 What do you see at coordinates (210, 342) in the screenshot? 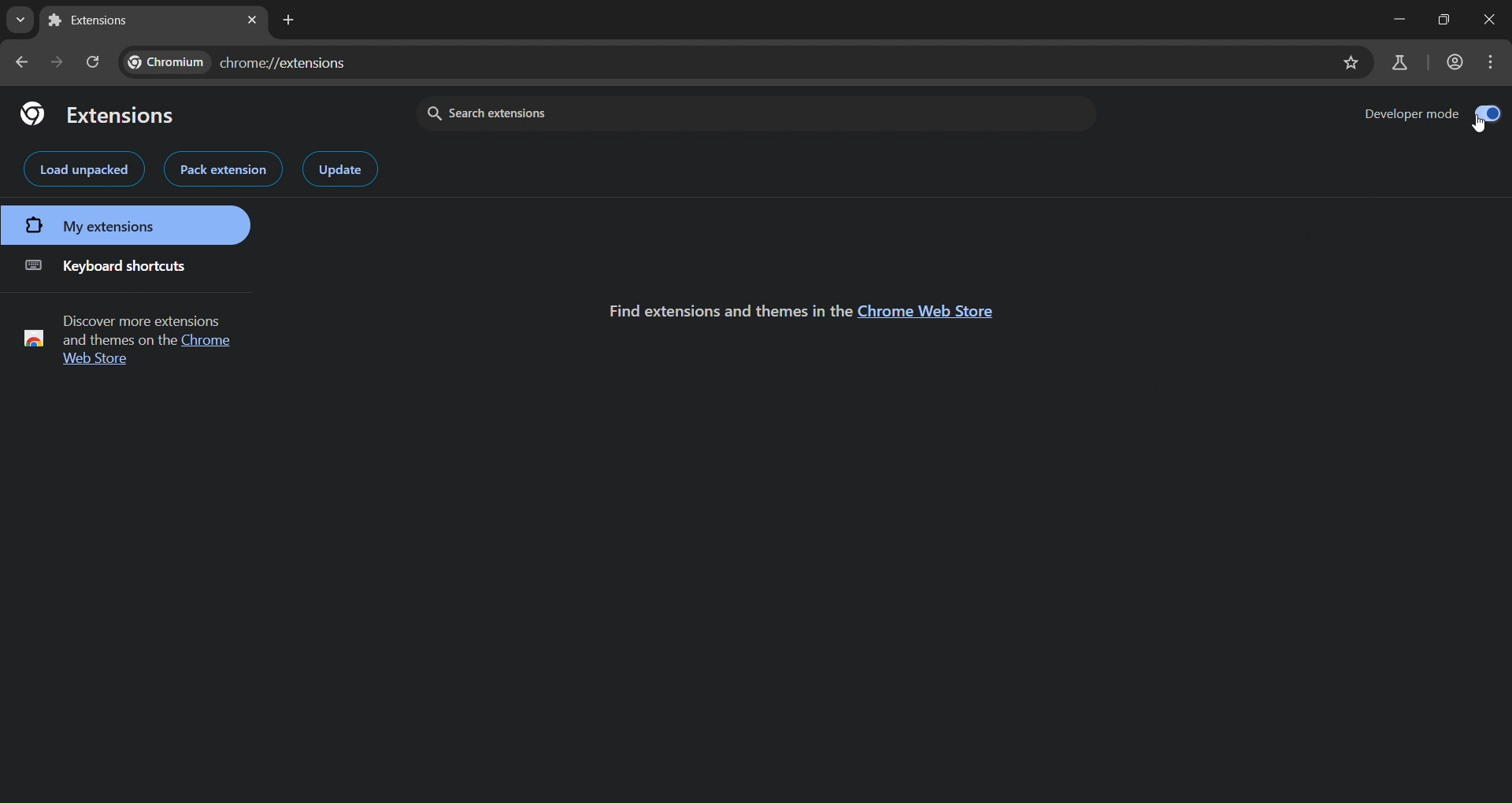
I see `chrome` at bounding box center [210, 342].